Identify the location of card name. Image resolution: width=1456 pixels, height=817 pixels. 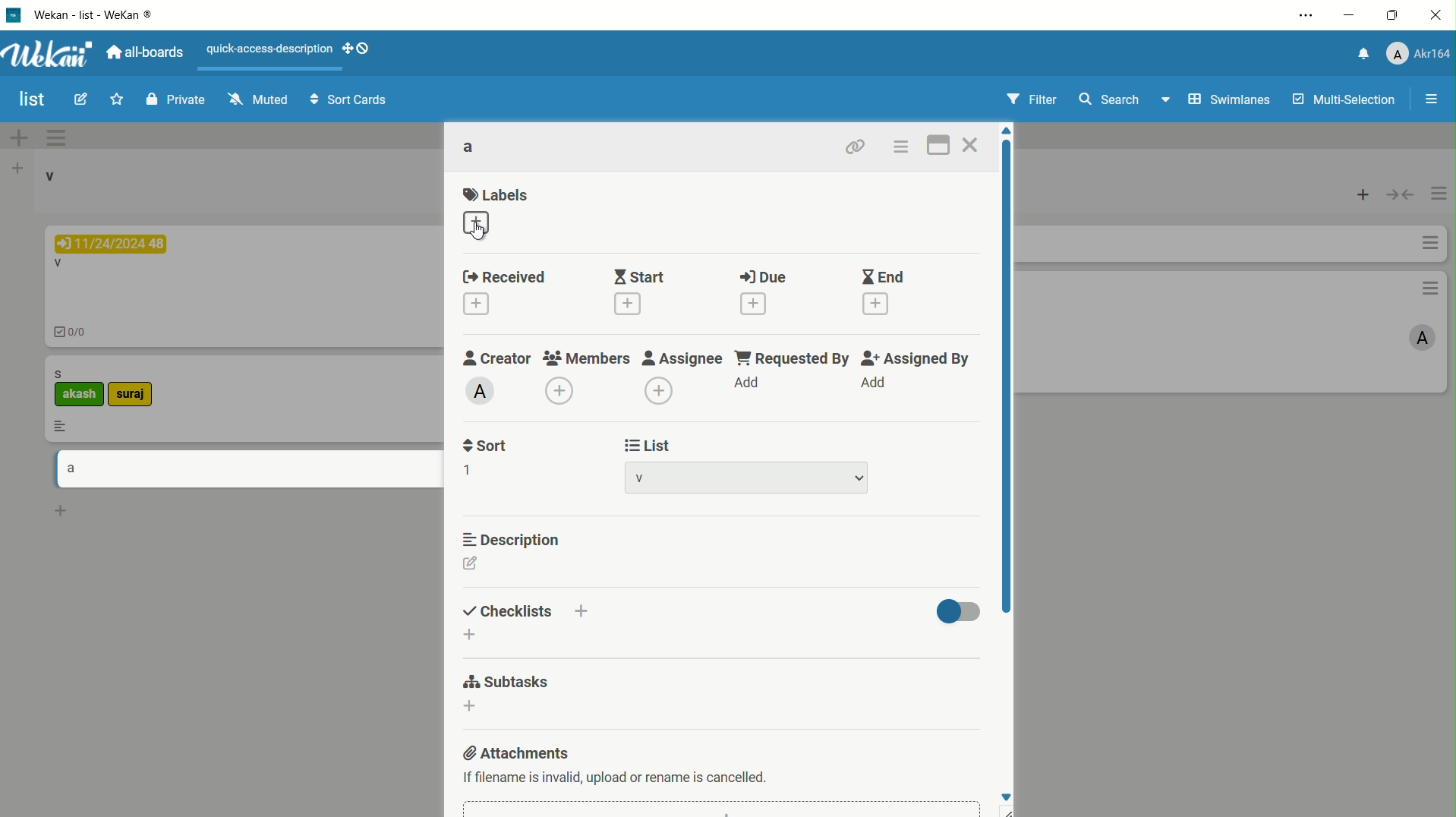
(470, 148).